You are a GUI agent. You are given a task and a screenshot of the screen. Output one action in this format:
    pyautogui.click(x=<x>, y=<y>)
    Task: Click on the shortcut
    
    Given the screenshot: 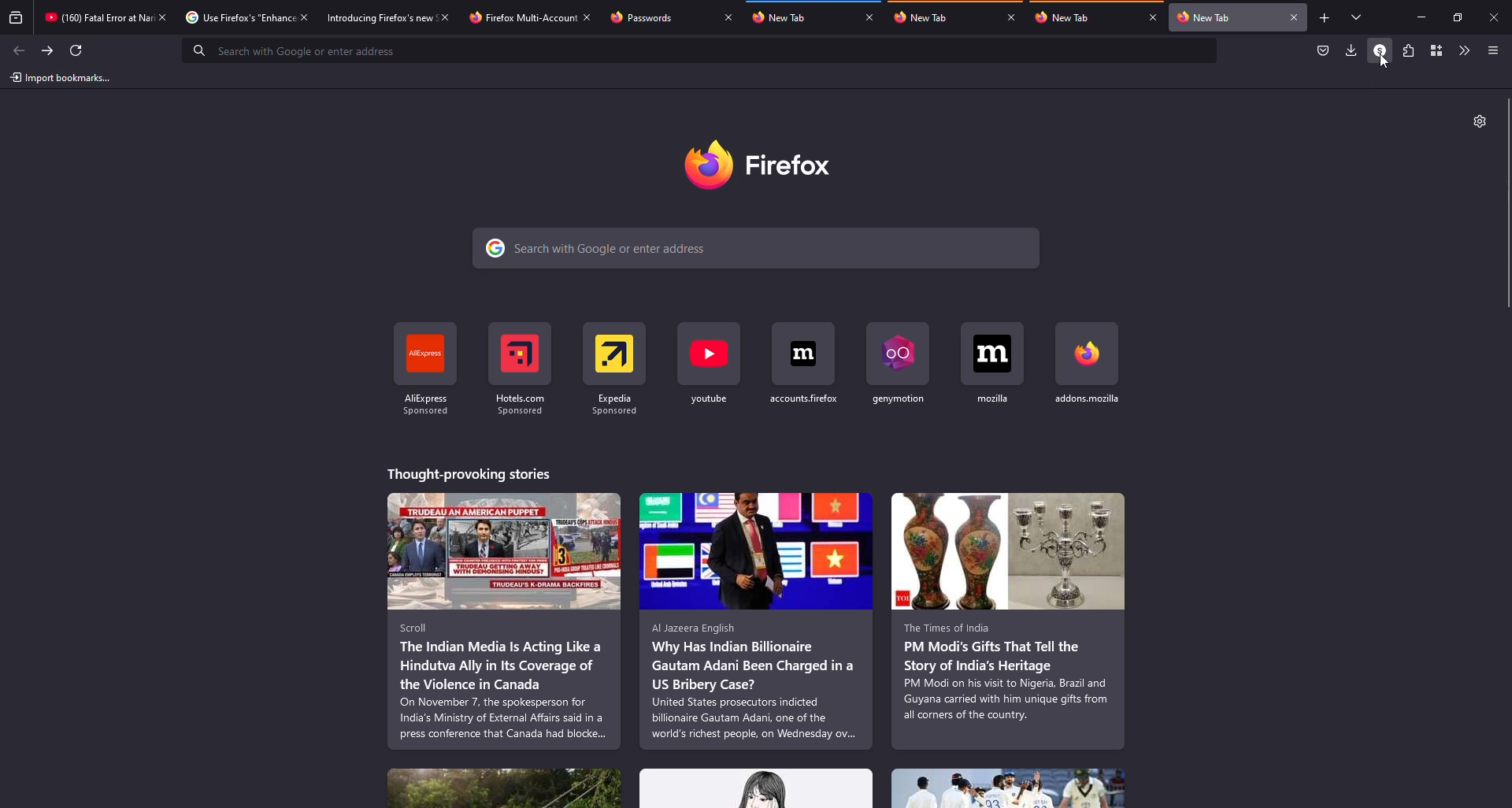 What is the action you would take?
    pyautogui.click(x=1089, y=364)
    